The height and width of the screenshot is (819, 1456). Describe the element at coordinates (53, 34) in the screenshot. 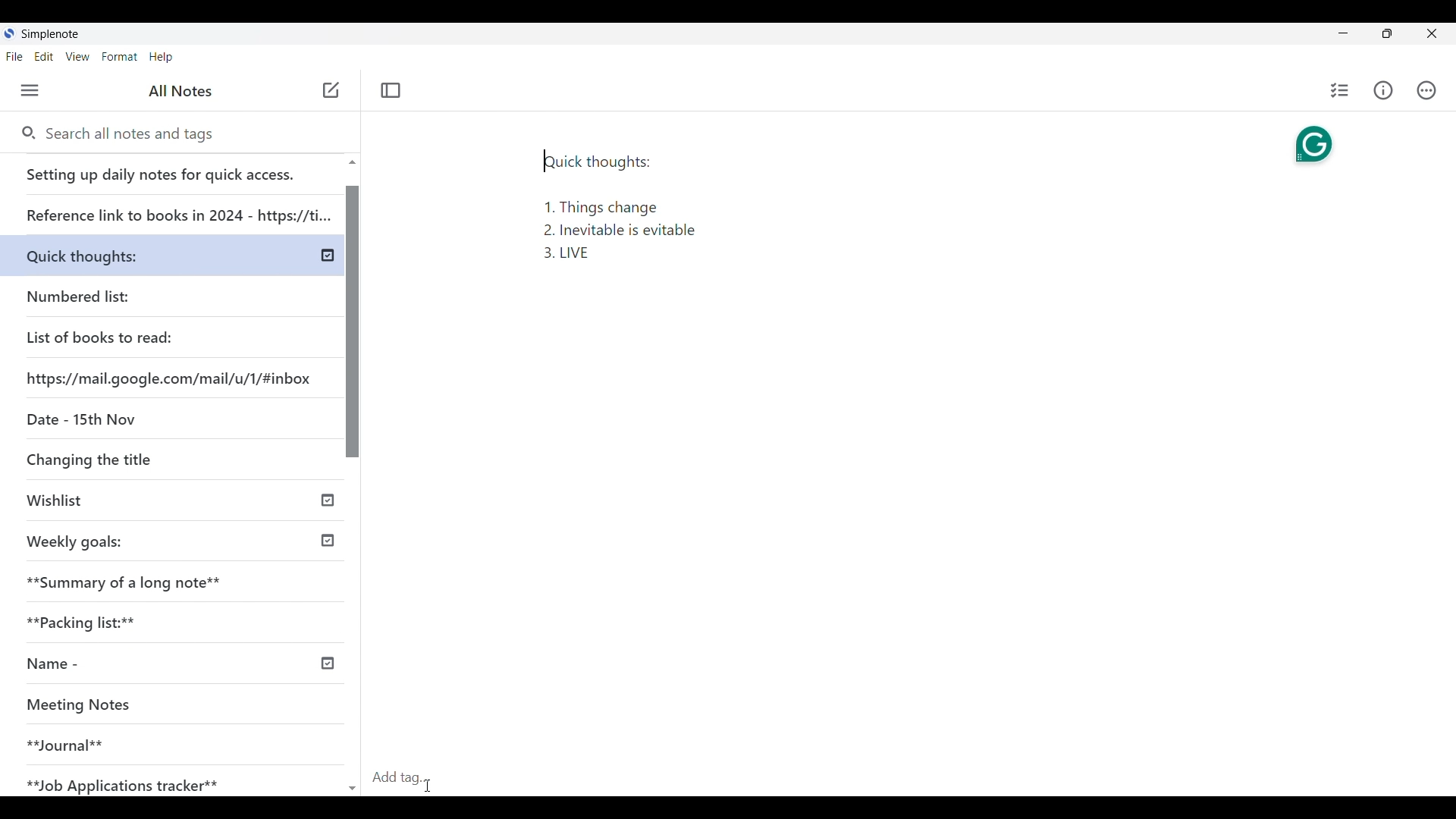

I see `Software note` at that location.